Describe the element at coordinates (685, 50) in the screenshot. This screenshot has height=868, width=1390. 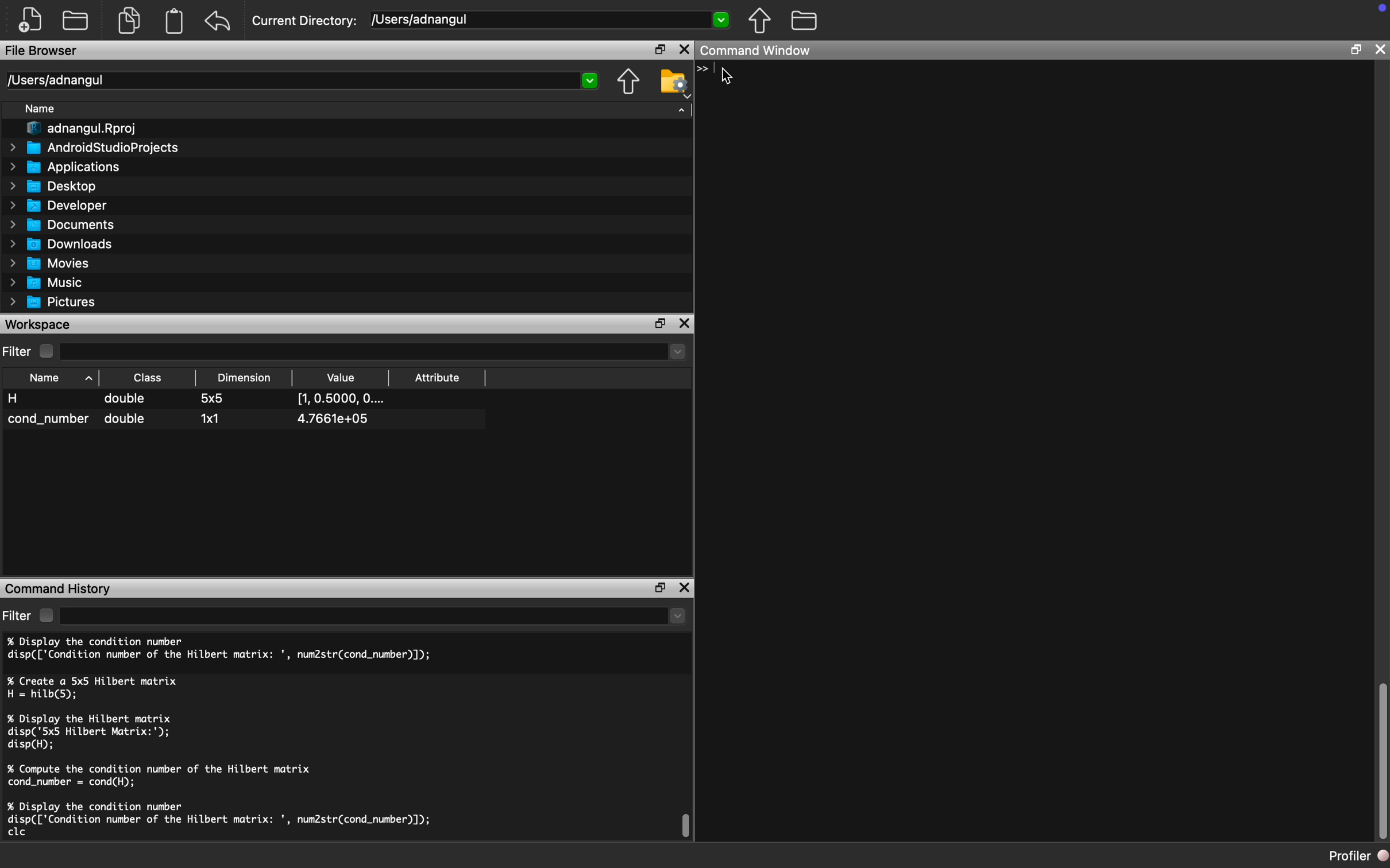
I see `Close` at that location.